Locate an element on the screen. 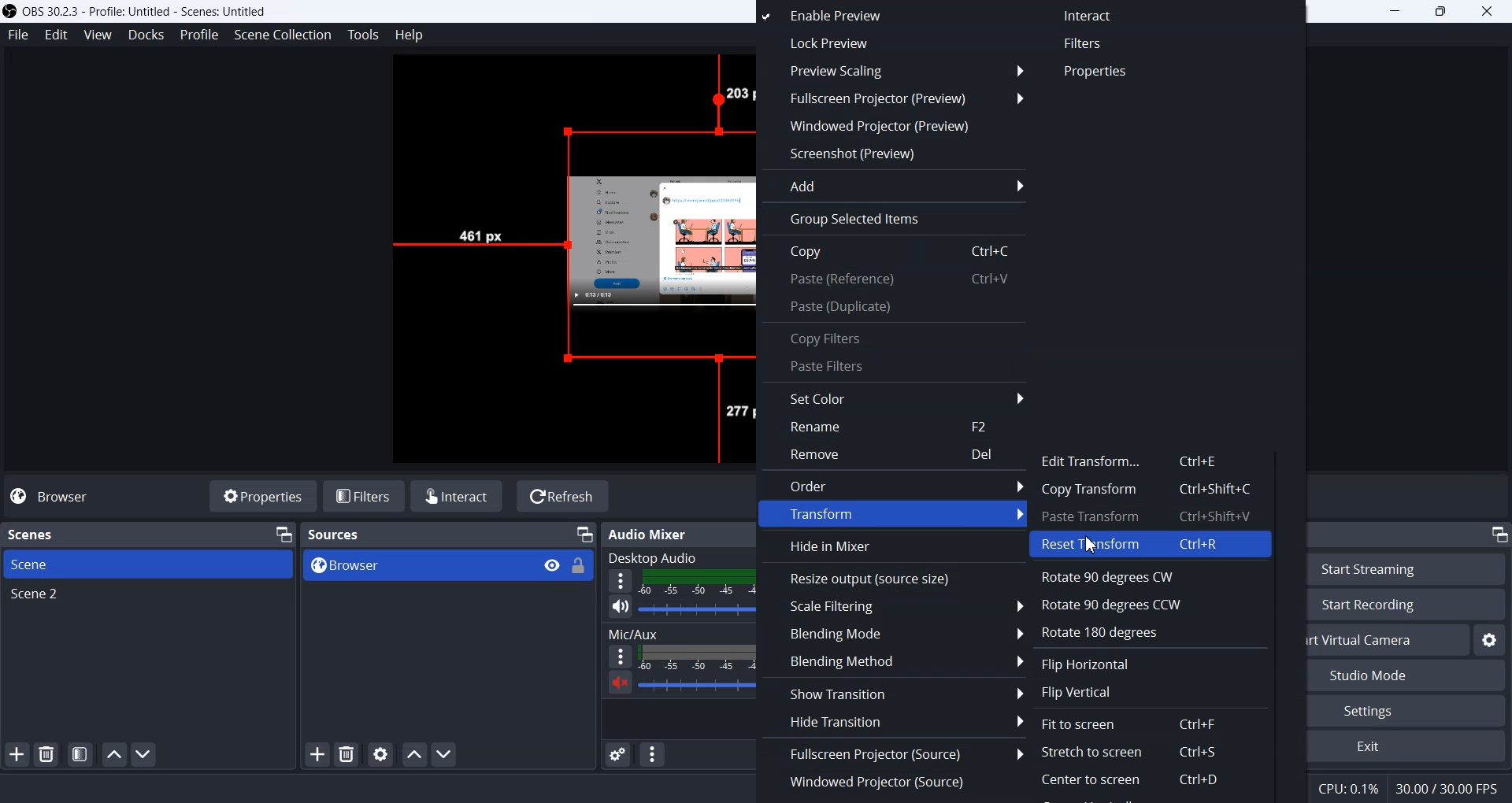 Image resolution: width=1512 pixels, height=803 pixels. Enable Preview is located at coordinates (878, 17).